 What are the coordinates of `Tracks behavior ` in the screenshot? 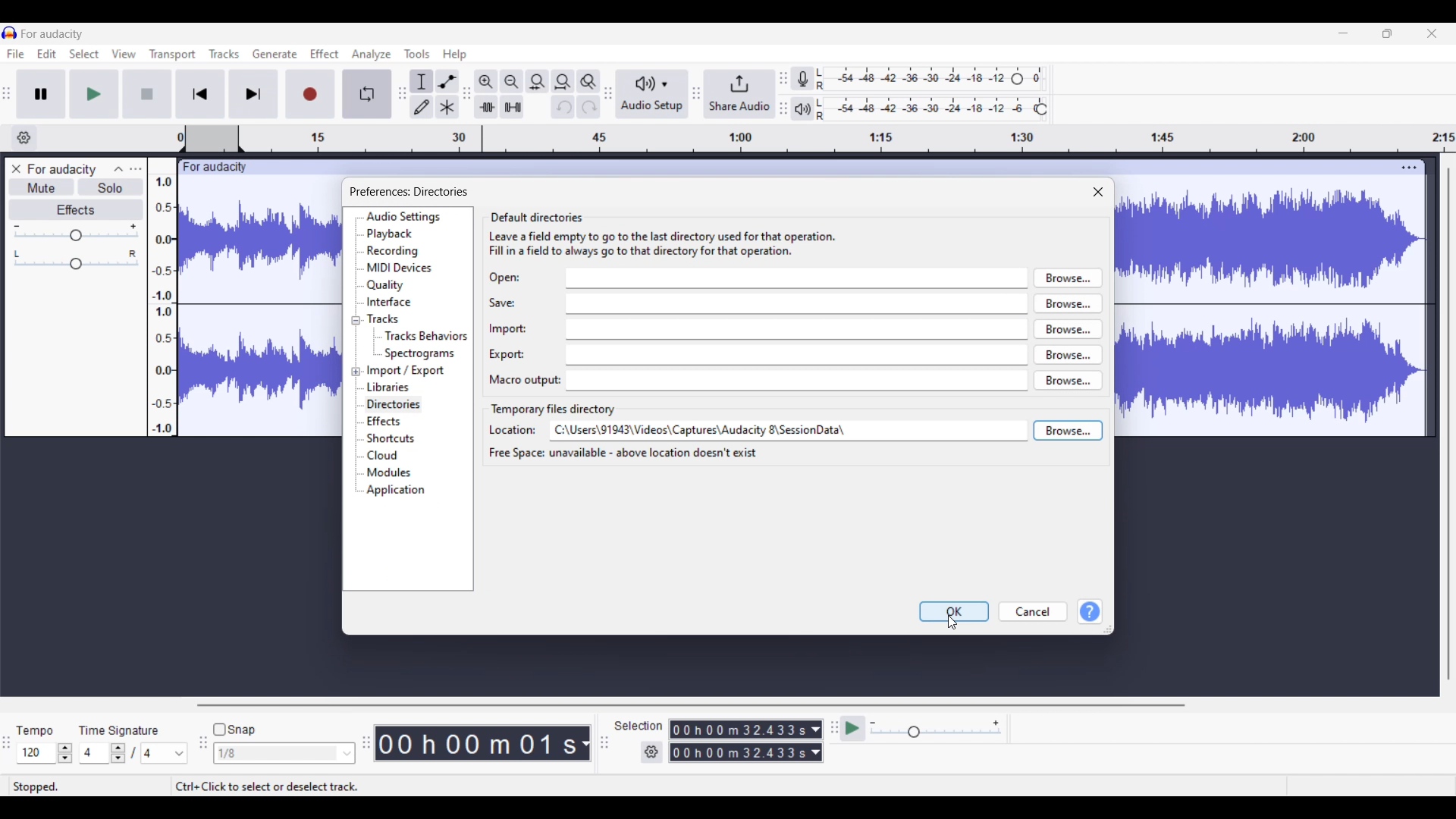 It's located at (427, 336).